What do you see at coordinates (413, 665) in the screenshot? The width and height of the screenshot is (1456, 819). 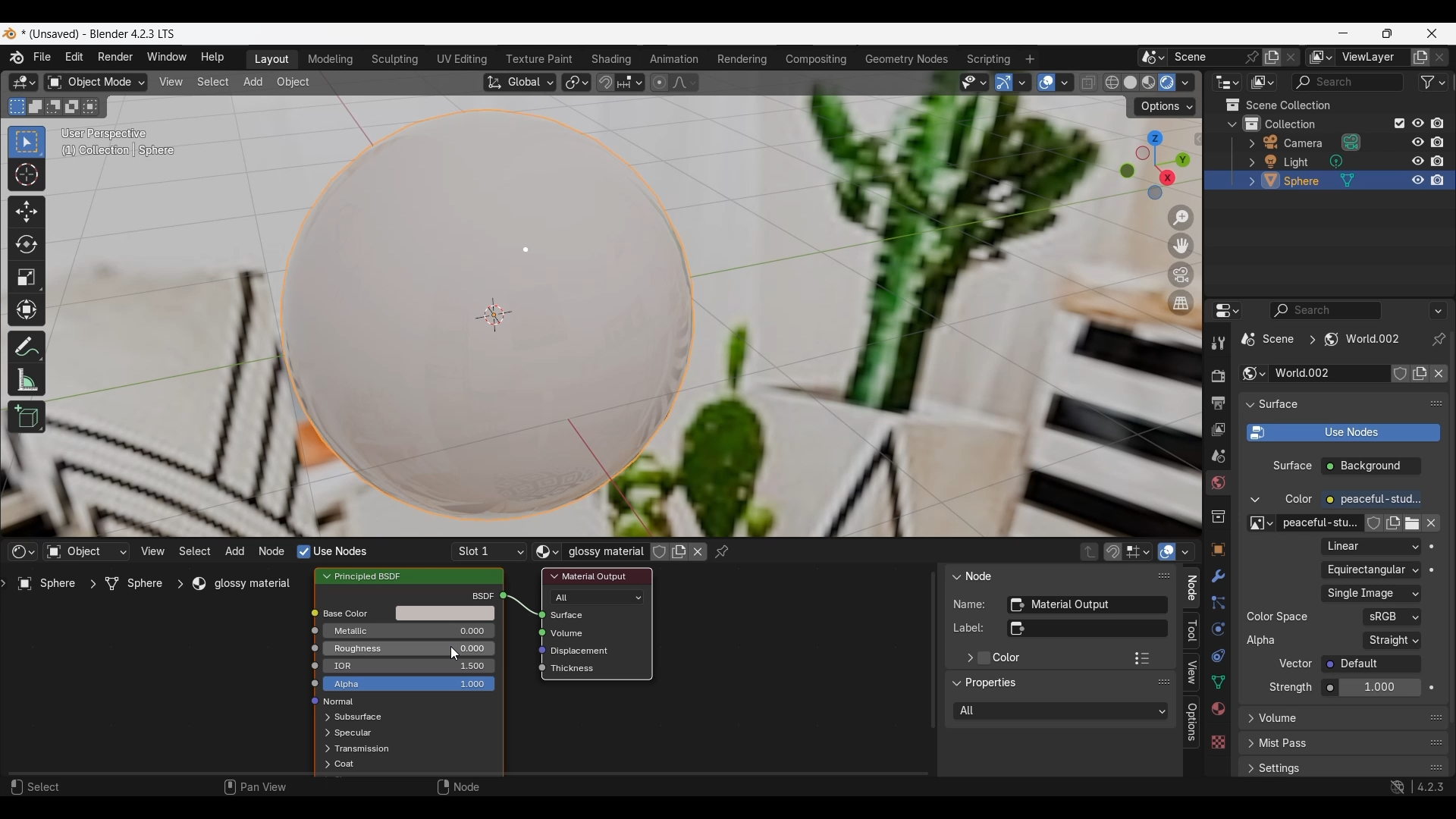 I see `IOR in base` at bounding box center [413, 665].